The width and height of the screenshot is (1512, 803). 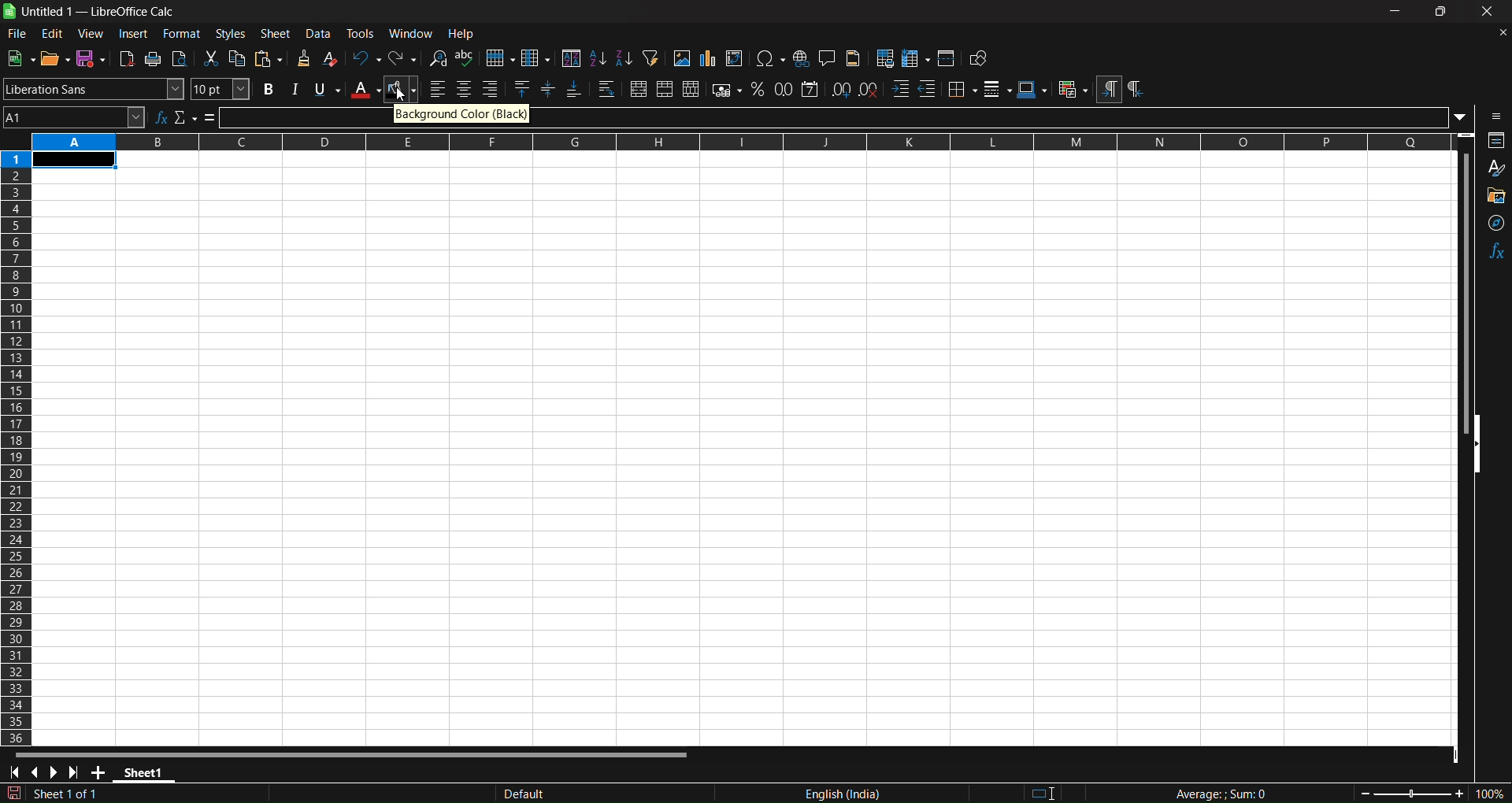 What do you see at coordinates (98, 774) in the screenshot?
I see `add new sheet` at bounding box center [98, 774].